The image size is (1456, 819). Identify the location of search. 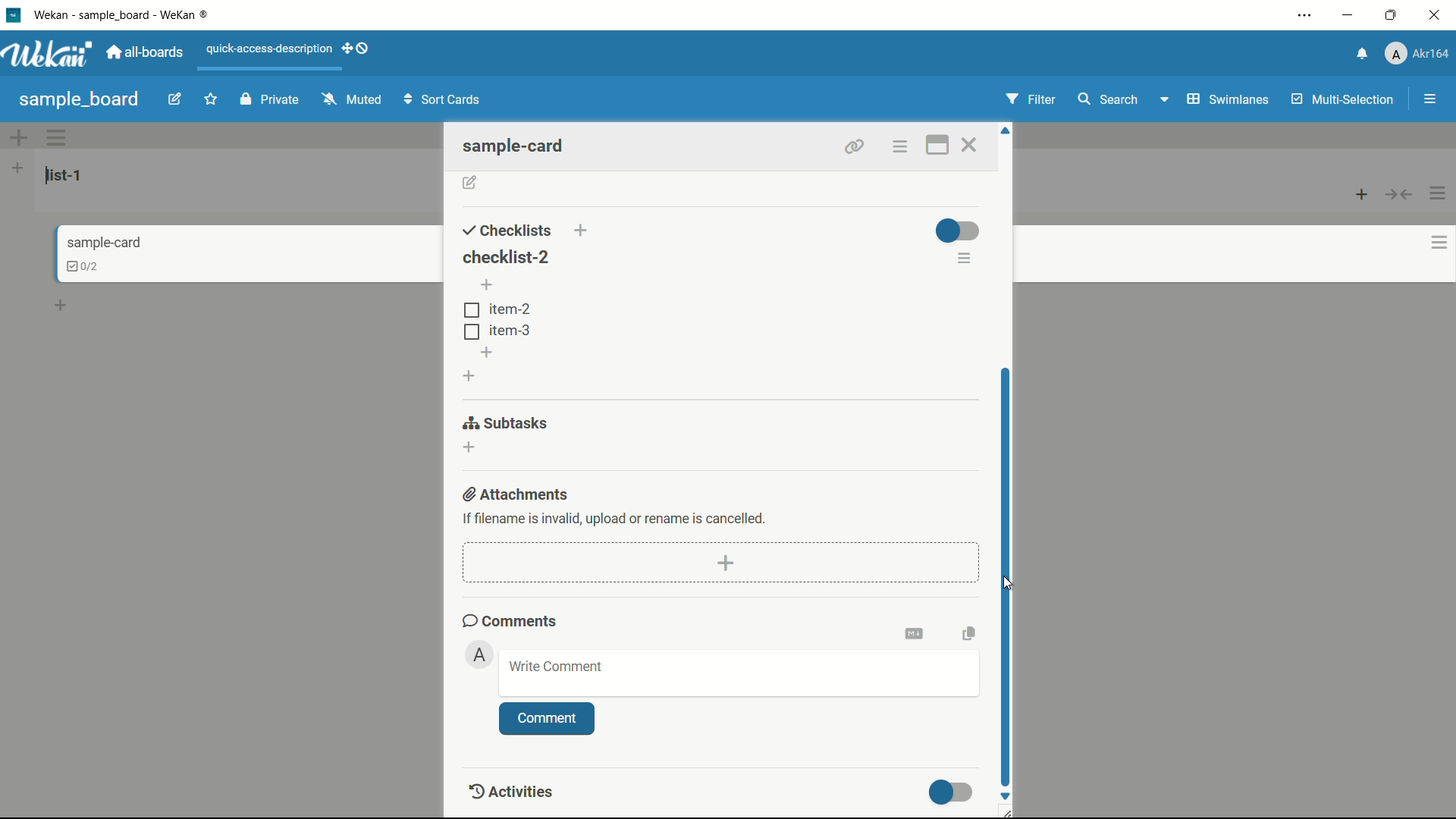
(1109, 99).